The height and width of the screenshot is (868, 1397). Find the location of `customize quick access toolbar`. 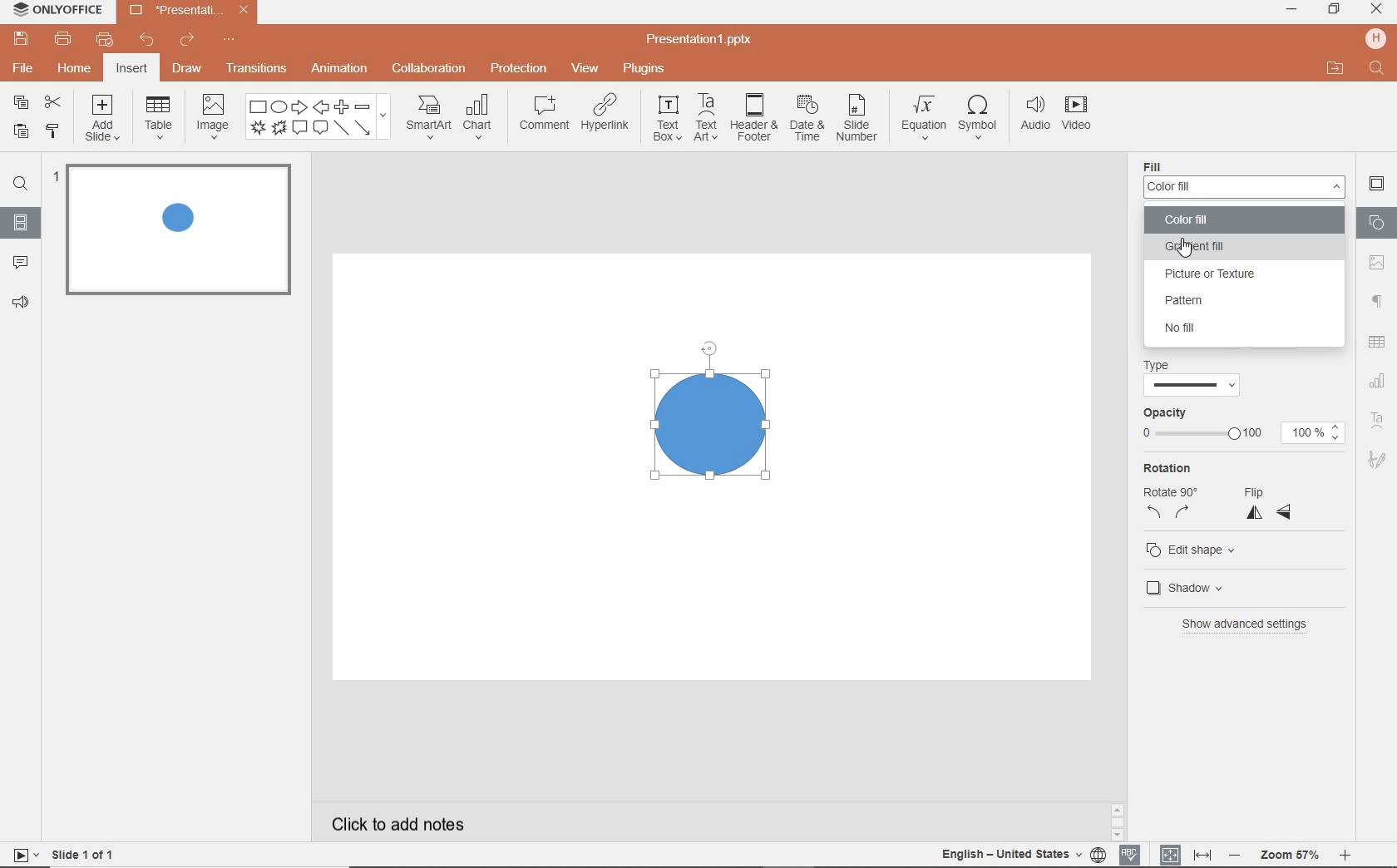

customize quick access toolbar is located at coordinates (230, 37).